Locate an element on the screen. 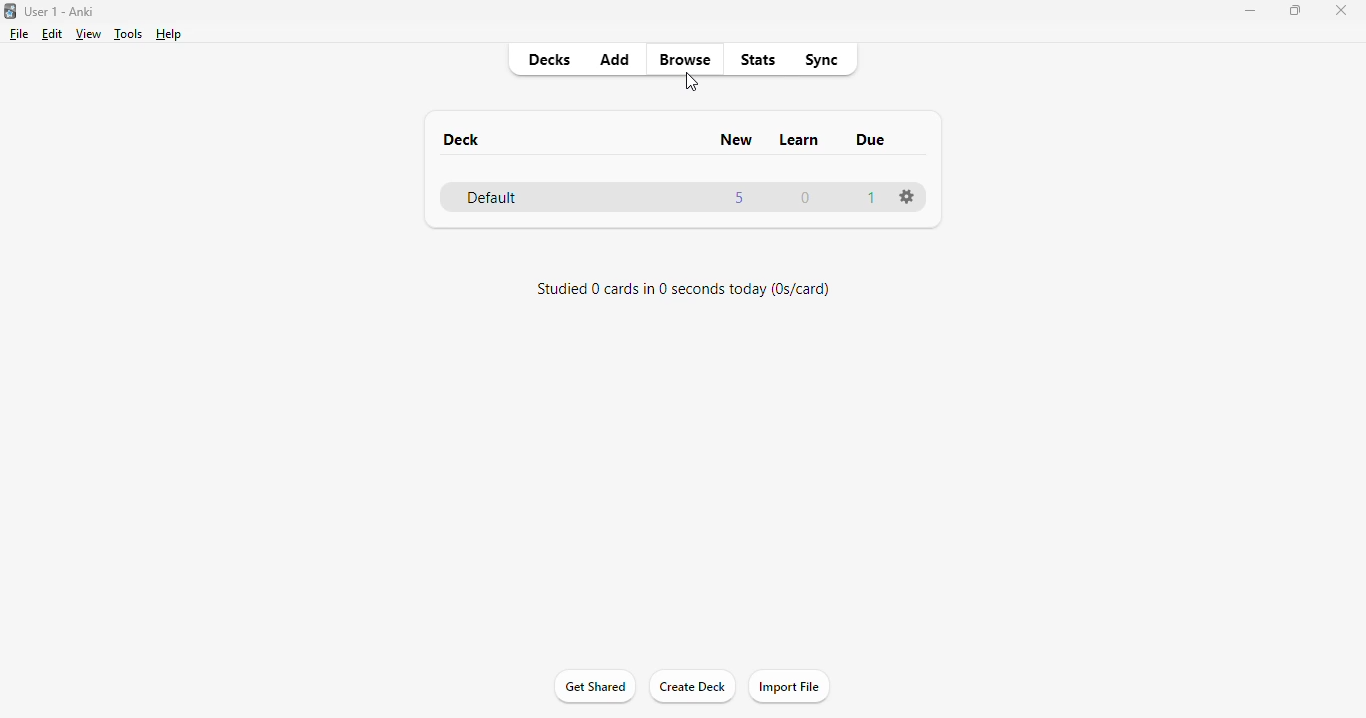 The width and height of the screenshot is (1366, 718). deck is located at coordinates (459, 139).